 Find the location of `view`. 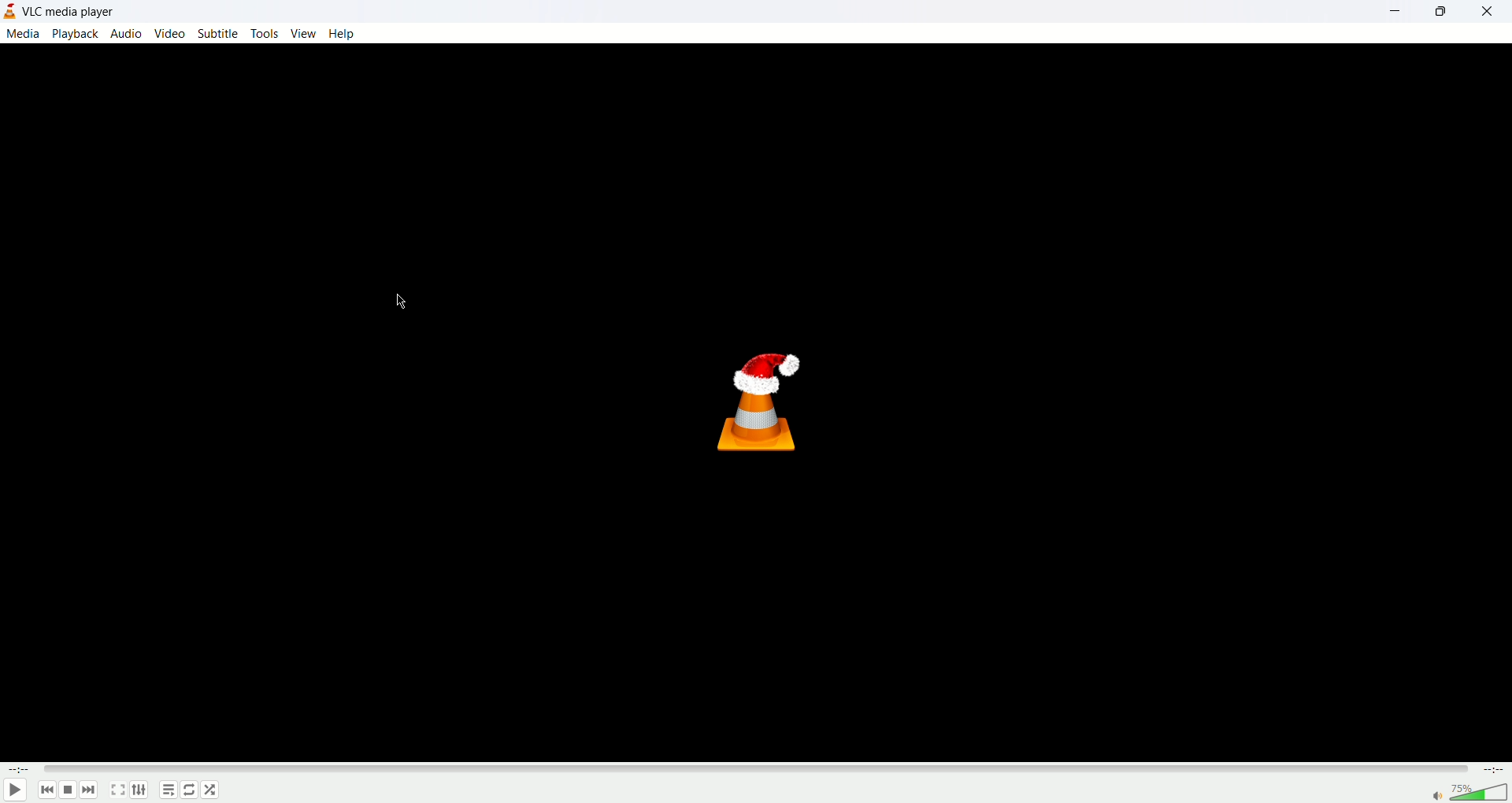

view is located at coordinates (302, 32).